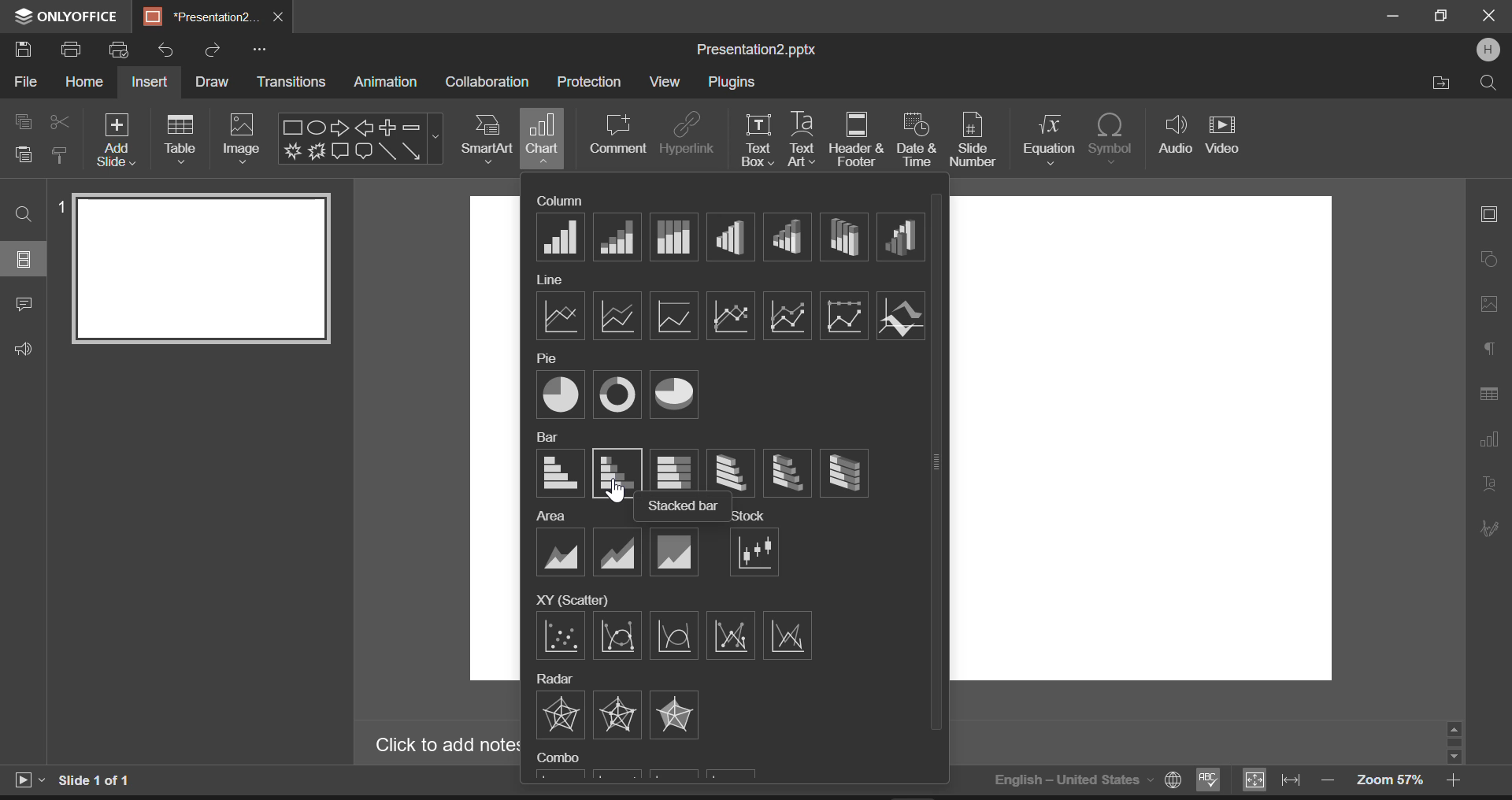 The image size is (1512, 800). Describe the element at coordinates (63, 17) in the screenshot. I see `ONLYOFFICE` at that location.